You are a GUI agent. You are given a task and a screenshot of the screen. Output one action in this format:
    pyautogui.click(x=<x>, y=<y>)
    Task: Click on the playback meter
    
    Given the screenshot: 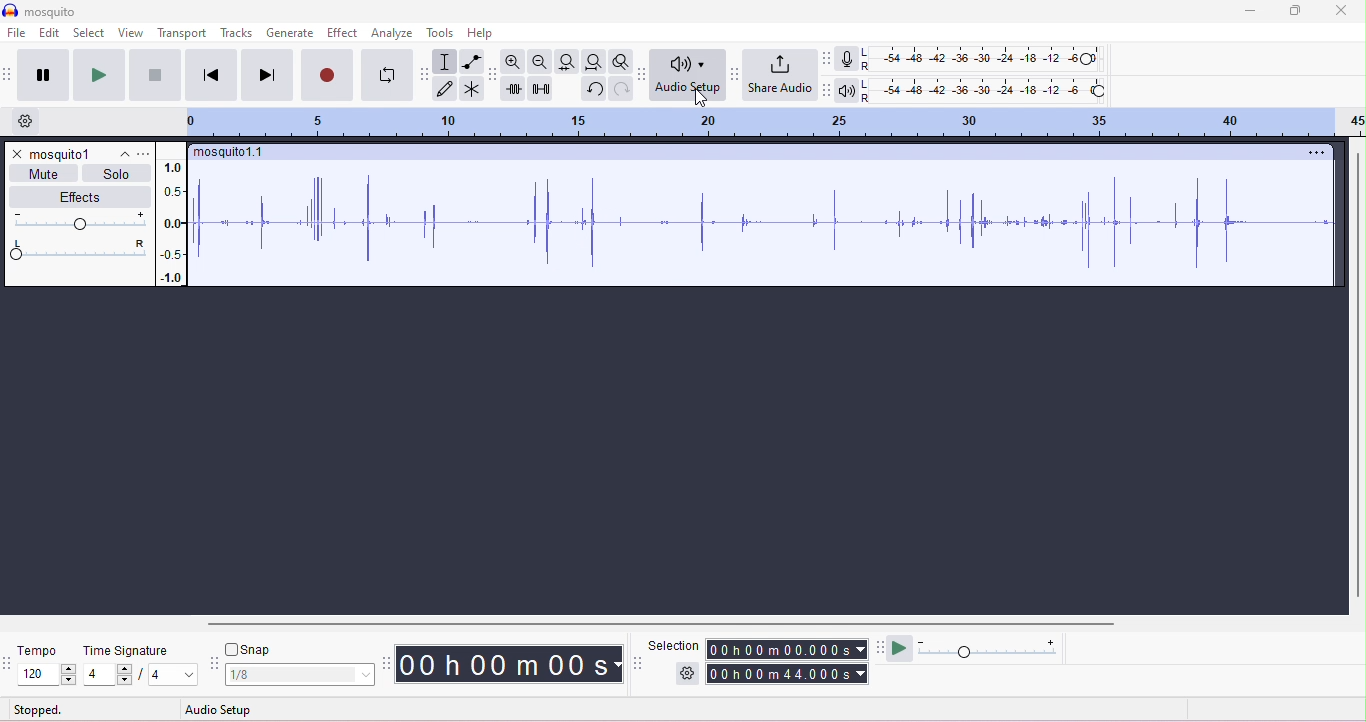 What is the action you would take?
    pyautogui.click(x=846, y=92)
    